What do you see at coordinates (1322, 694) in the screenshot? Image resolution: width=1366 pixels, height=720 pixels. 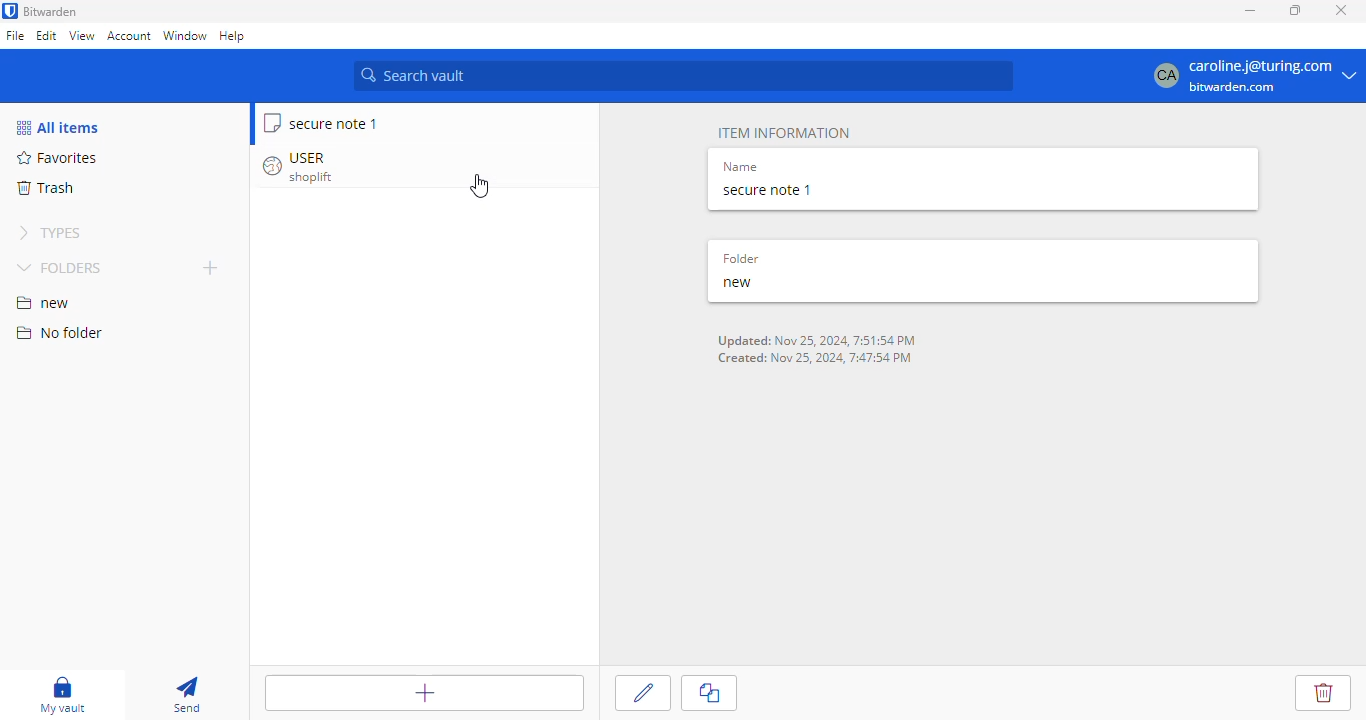 I see `delete` at bounding box center [1322, 694].